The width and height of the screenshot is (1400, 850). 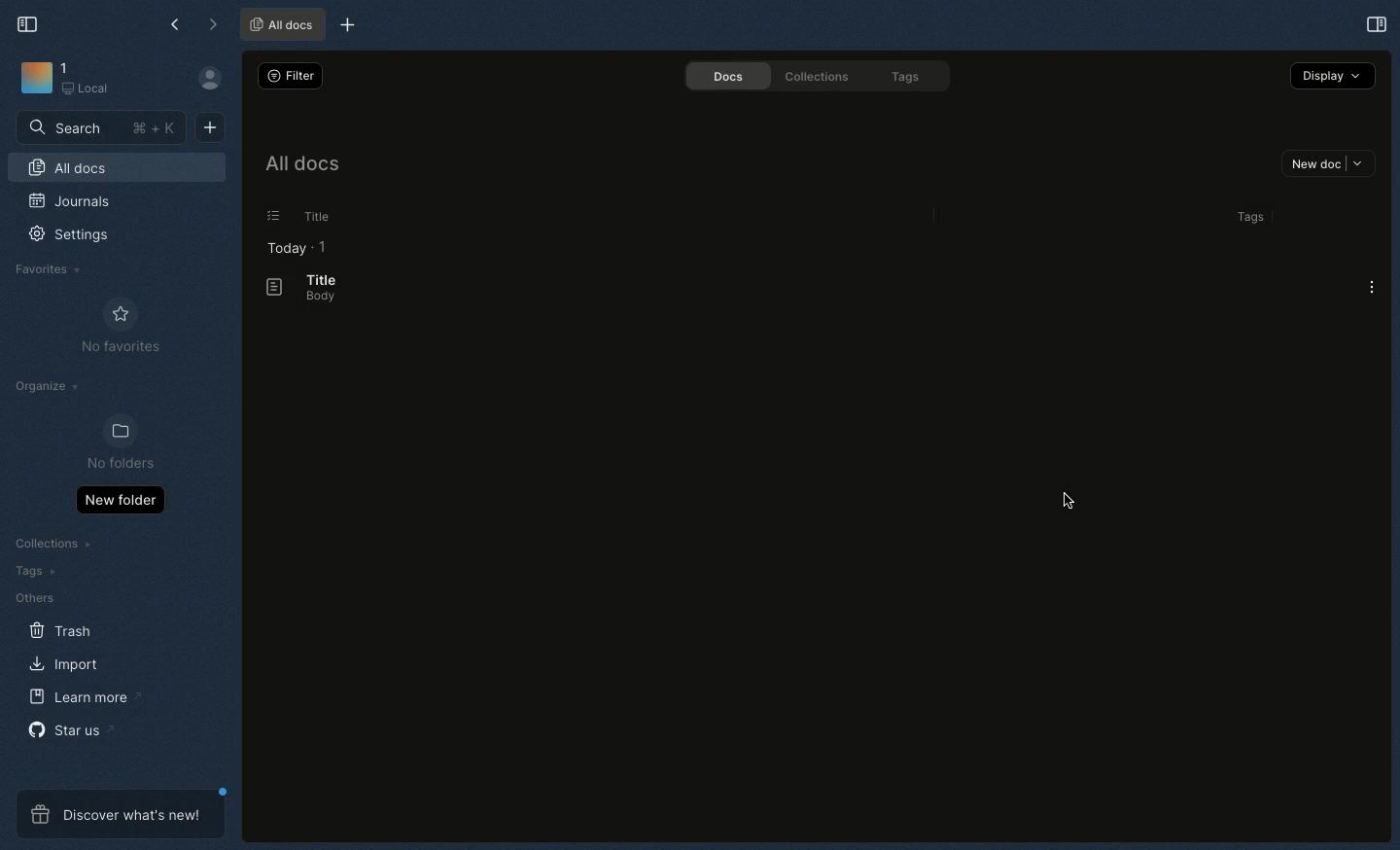 I want to click on Import, so click(x=67, y=663).